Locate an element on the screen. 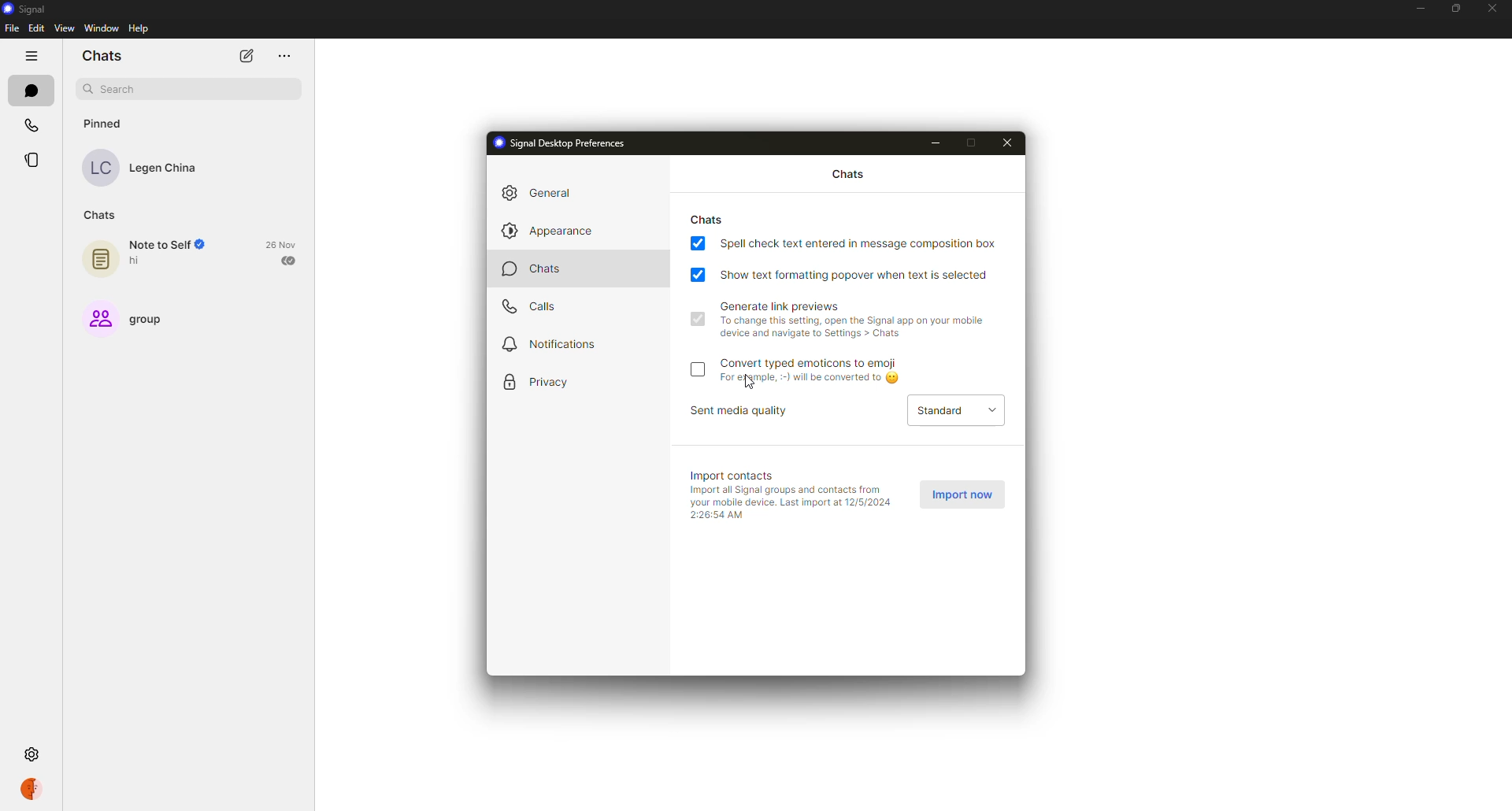 The image size is (1512, 811).  is located at coordinates (699, 243).